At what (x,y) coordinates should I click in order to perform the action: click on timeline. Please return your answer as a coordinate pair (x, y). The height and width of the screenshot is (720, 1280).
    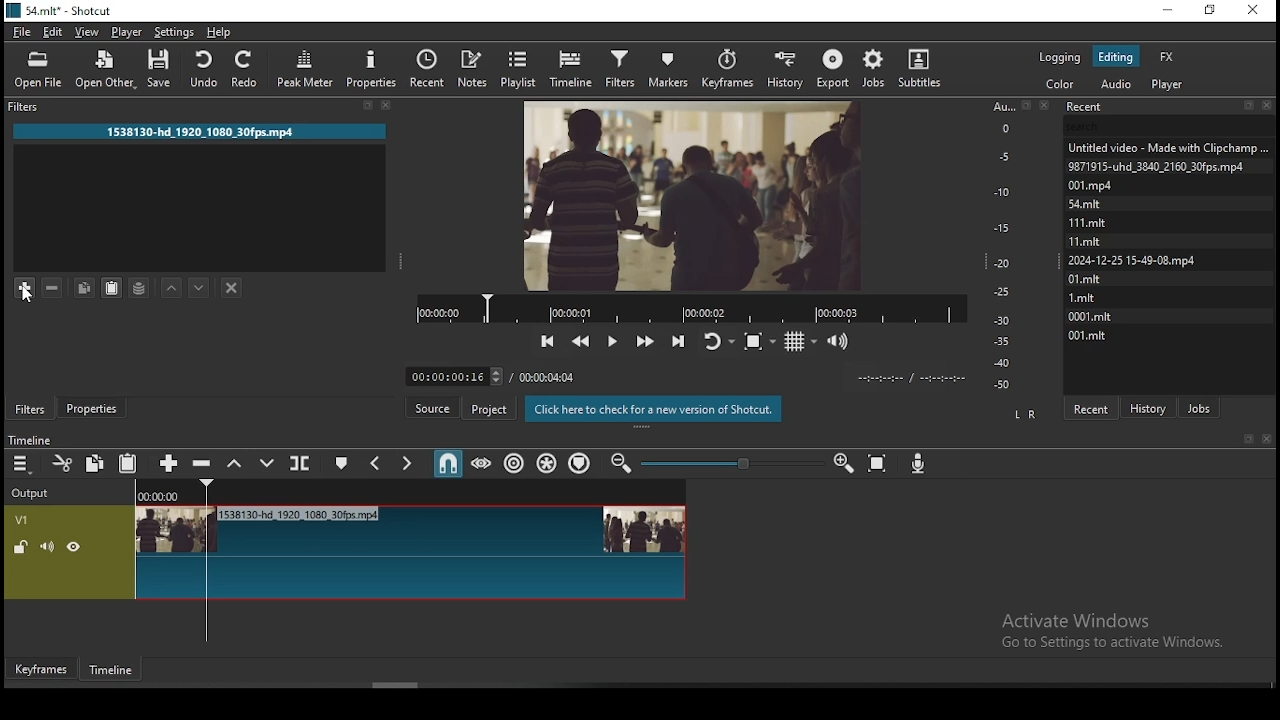
    Looking at the image, I should click on (112, 673).